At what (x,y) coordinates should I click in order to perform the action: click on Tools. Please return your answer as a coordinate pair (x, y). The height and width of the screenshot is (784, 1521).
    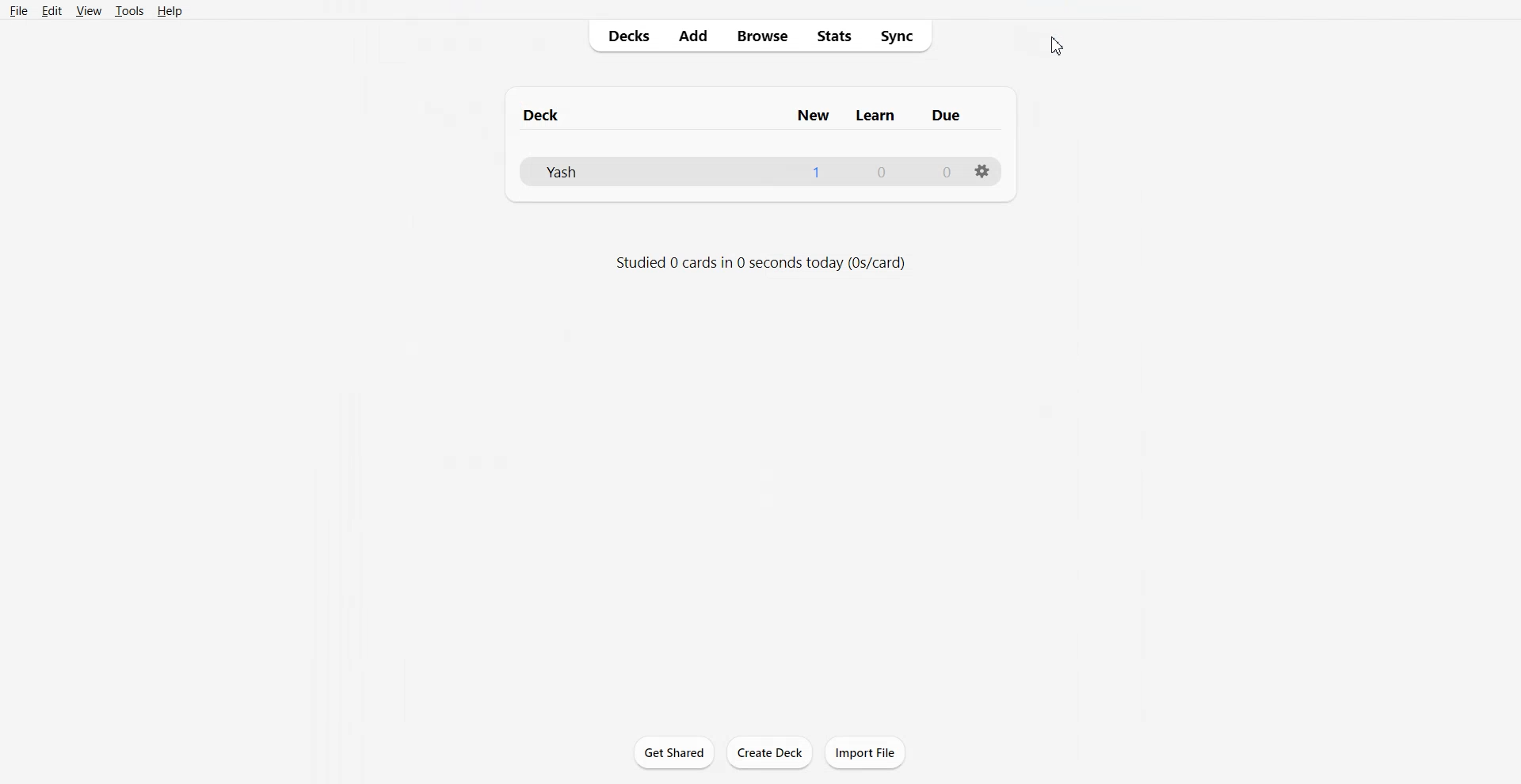
    Looking at the image, I should click on (128, 12).